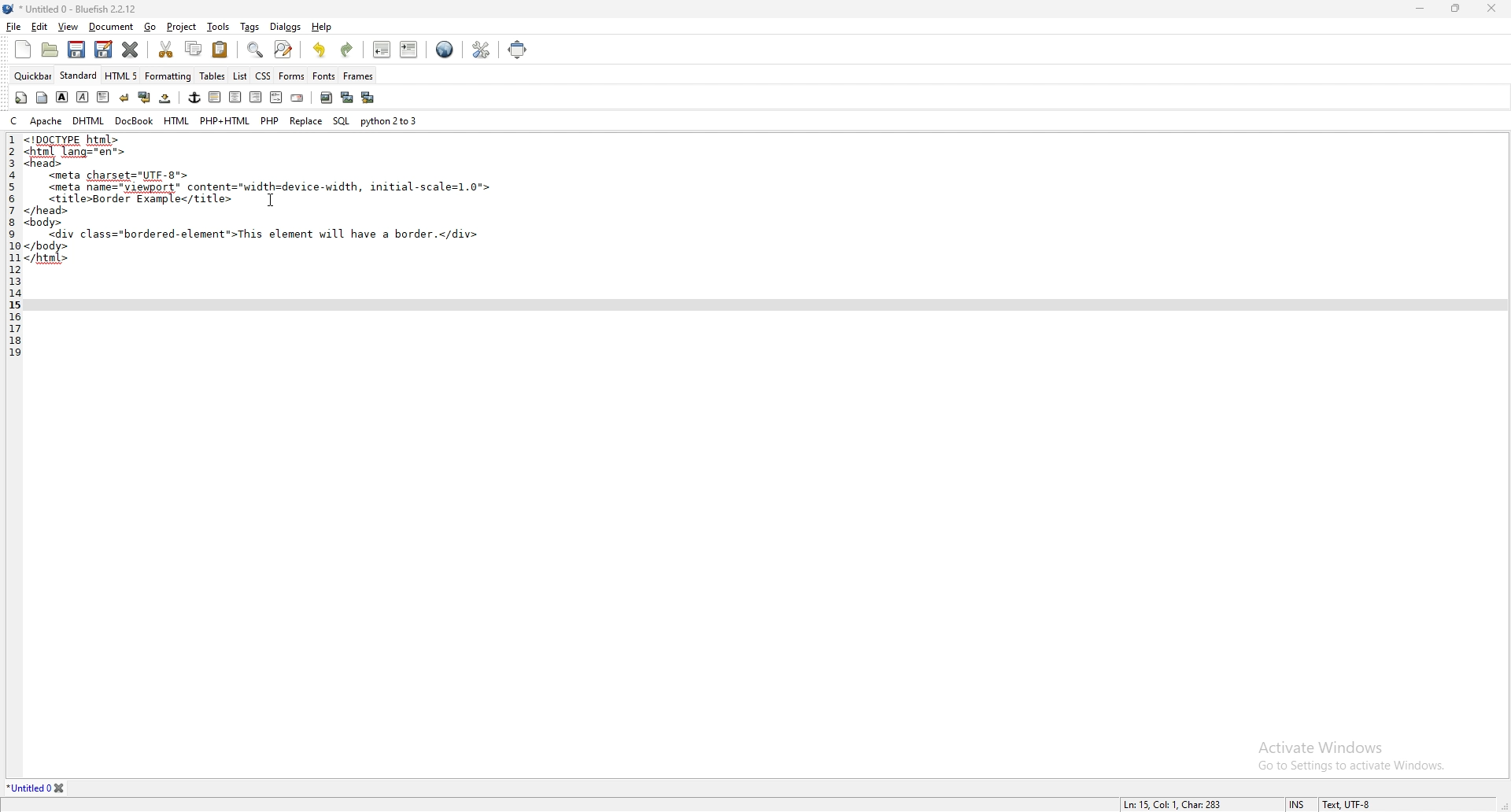 The image size is (1511, 812). I want to click on multi thumbnail, so click(370, 97).